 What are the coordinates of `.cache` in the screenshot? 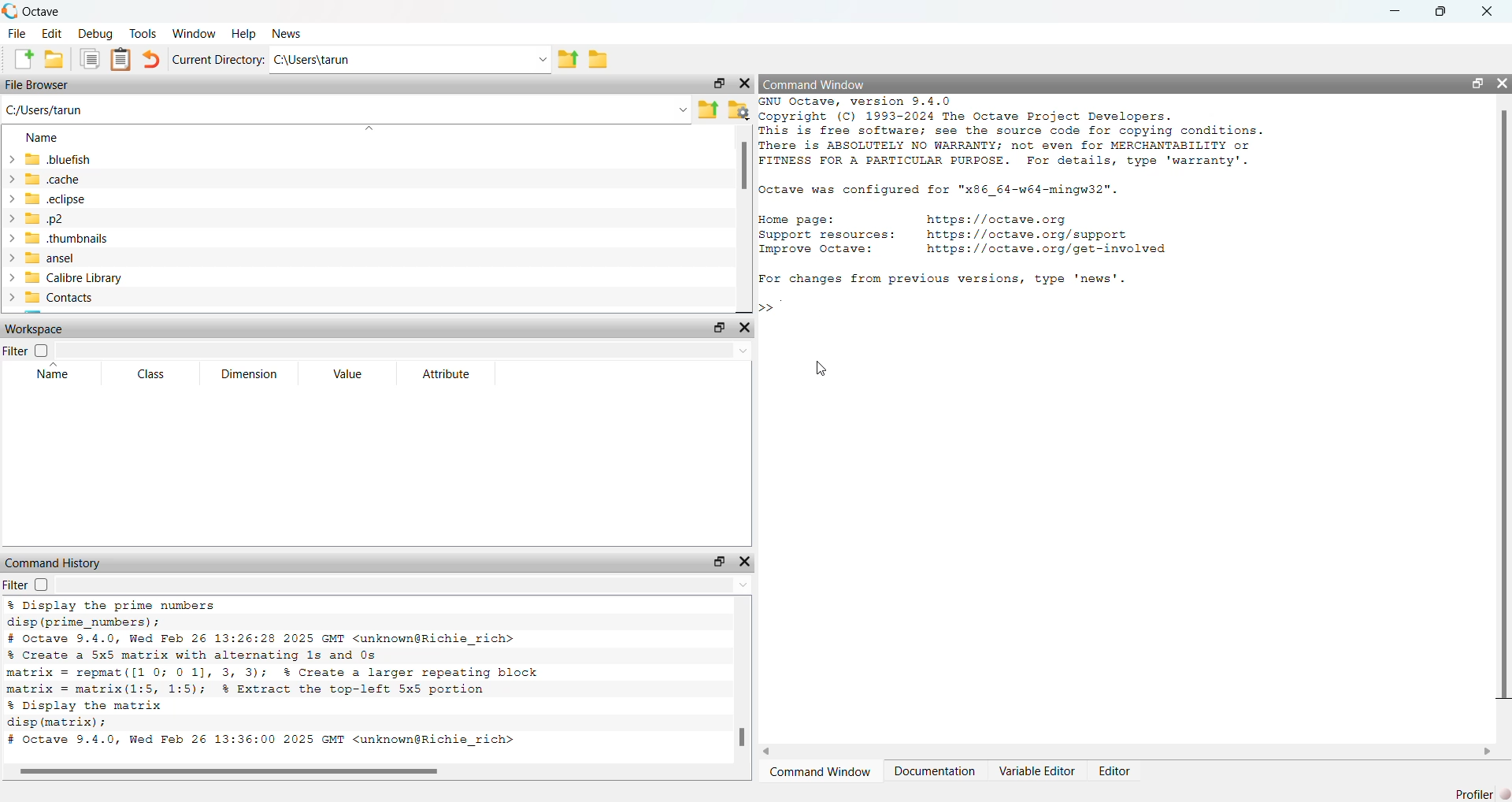 It's located at (68, 180).